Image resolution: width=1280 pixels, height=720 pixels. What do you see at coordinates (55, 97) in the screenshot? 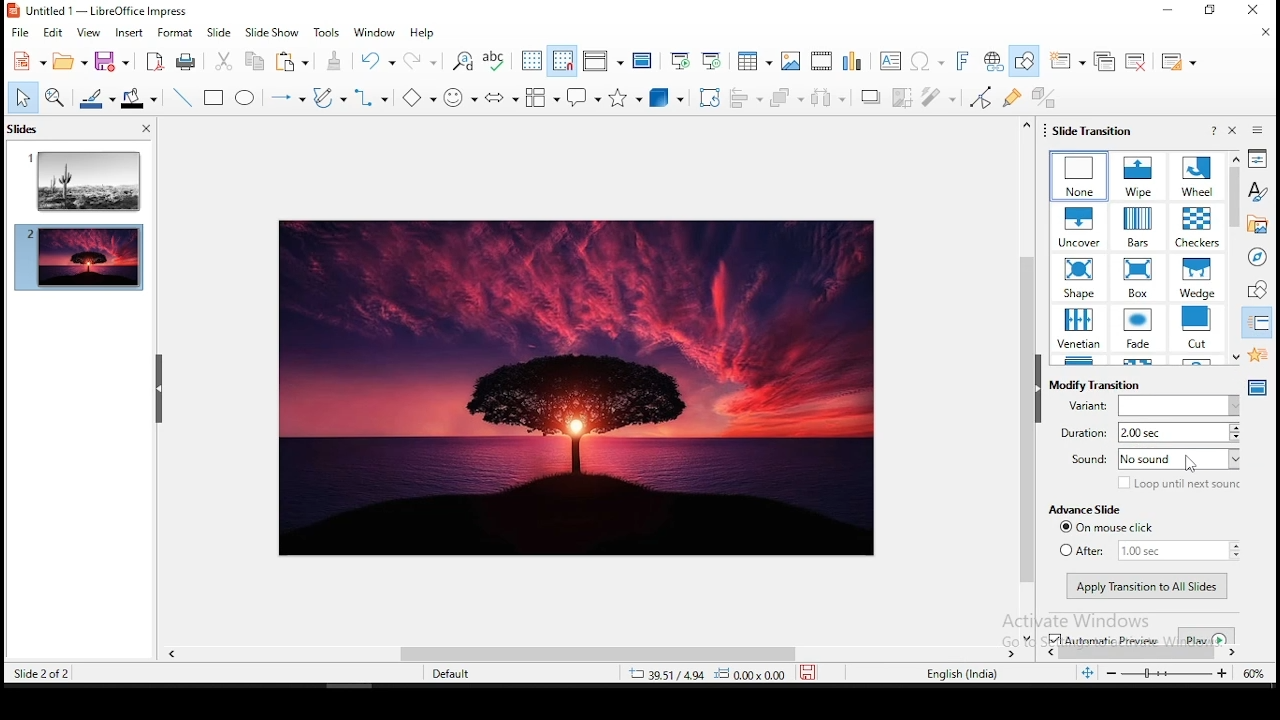
I see `zoom and pan` at bounding box center [55, 97].